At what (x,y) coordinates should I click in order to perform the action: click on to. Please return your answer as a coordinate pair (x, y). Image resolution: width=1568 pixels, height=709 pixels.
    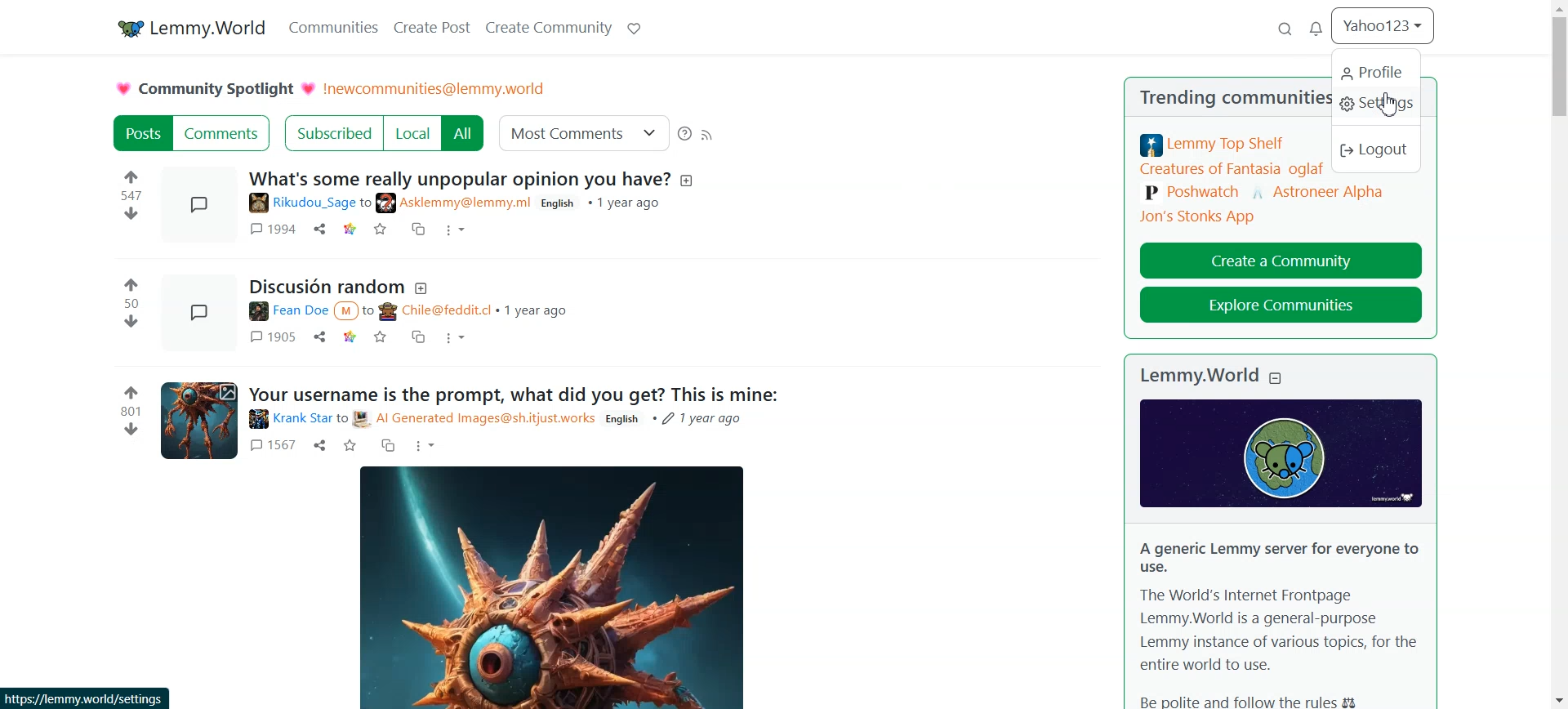
    Looking at the image, I should click on (342, 419).